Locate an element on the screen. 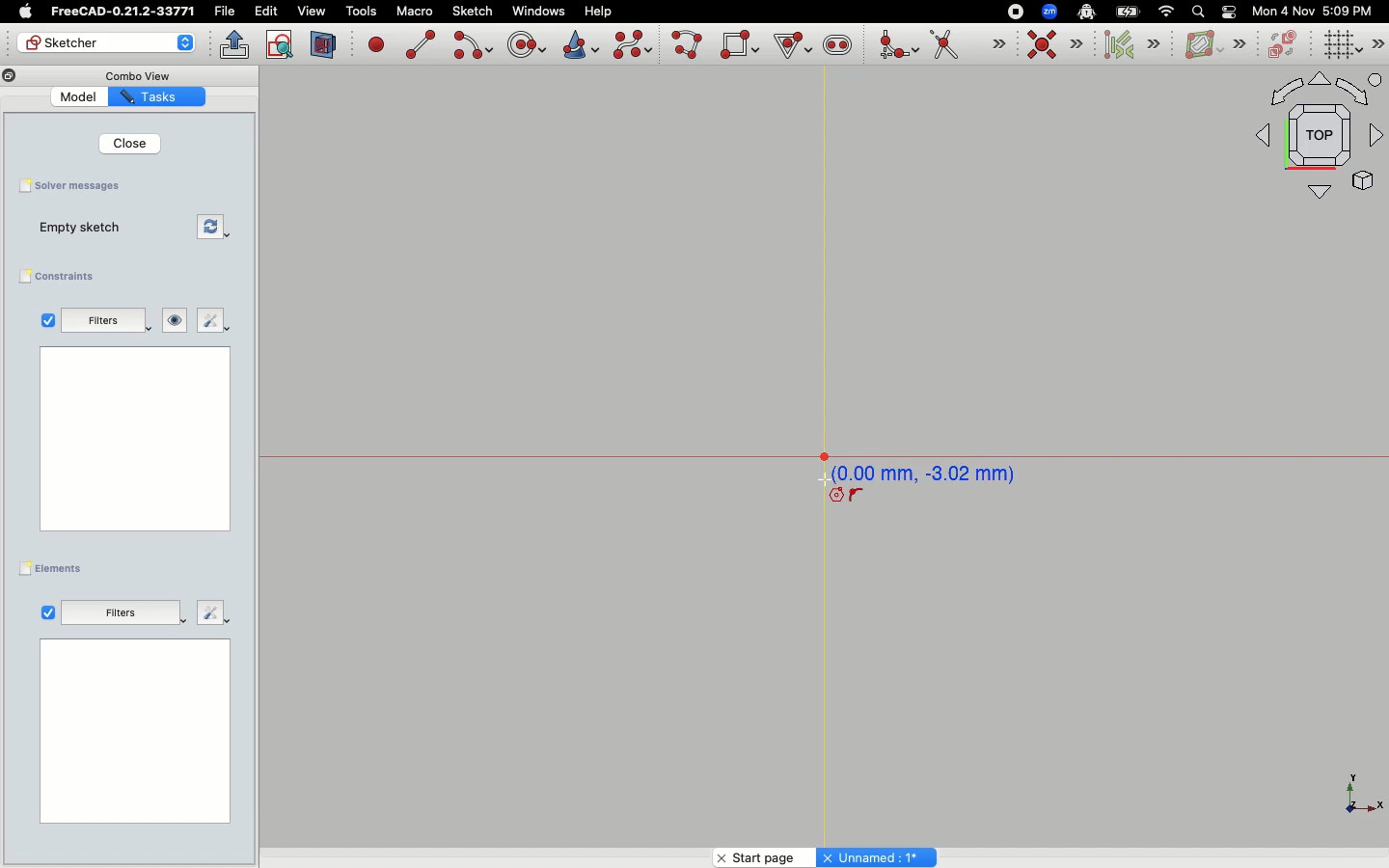 This screenshot has width=1389, height=868. view is located at coordinates (312, 11).